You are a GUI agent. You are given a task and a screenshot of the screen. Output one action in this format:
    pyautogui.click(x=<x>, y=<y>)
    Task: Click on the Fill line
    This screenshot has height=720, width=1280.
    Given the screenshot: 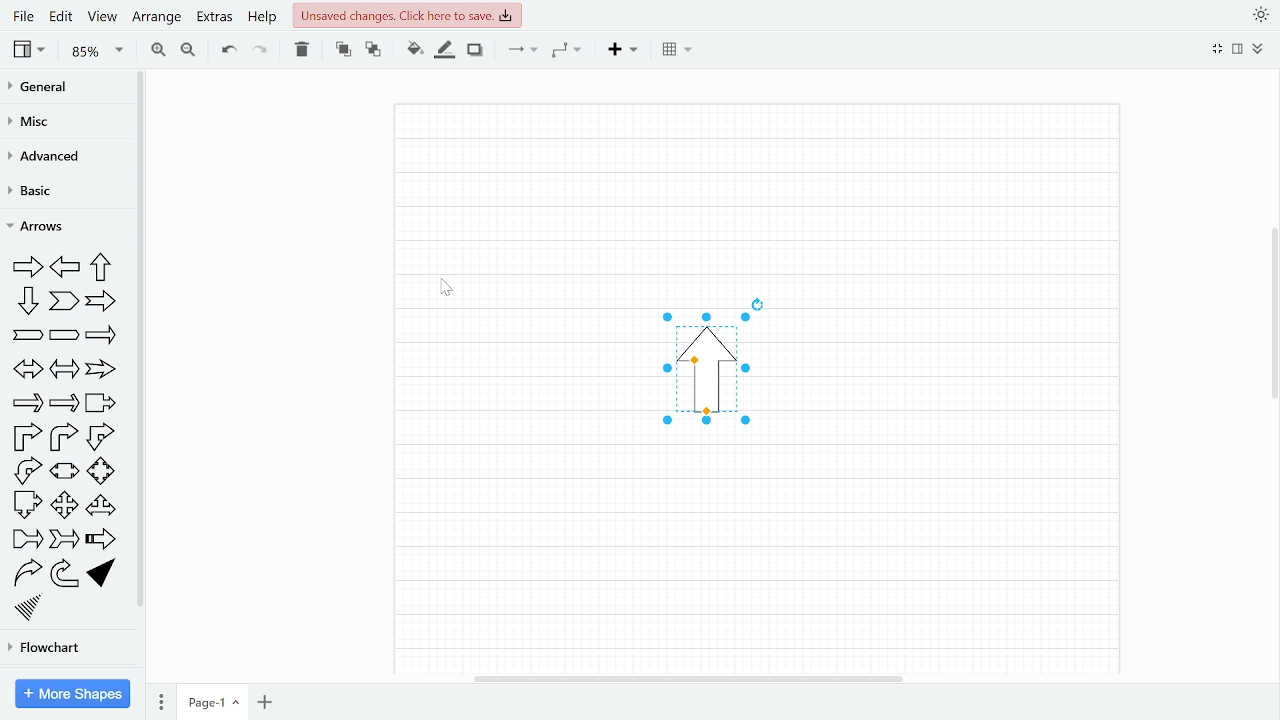 What is the action you would take?
    pyautogui.click(x=443, y=50)
    